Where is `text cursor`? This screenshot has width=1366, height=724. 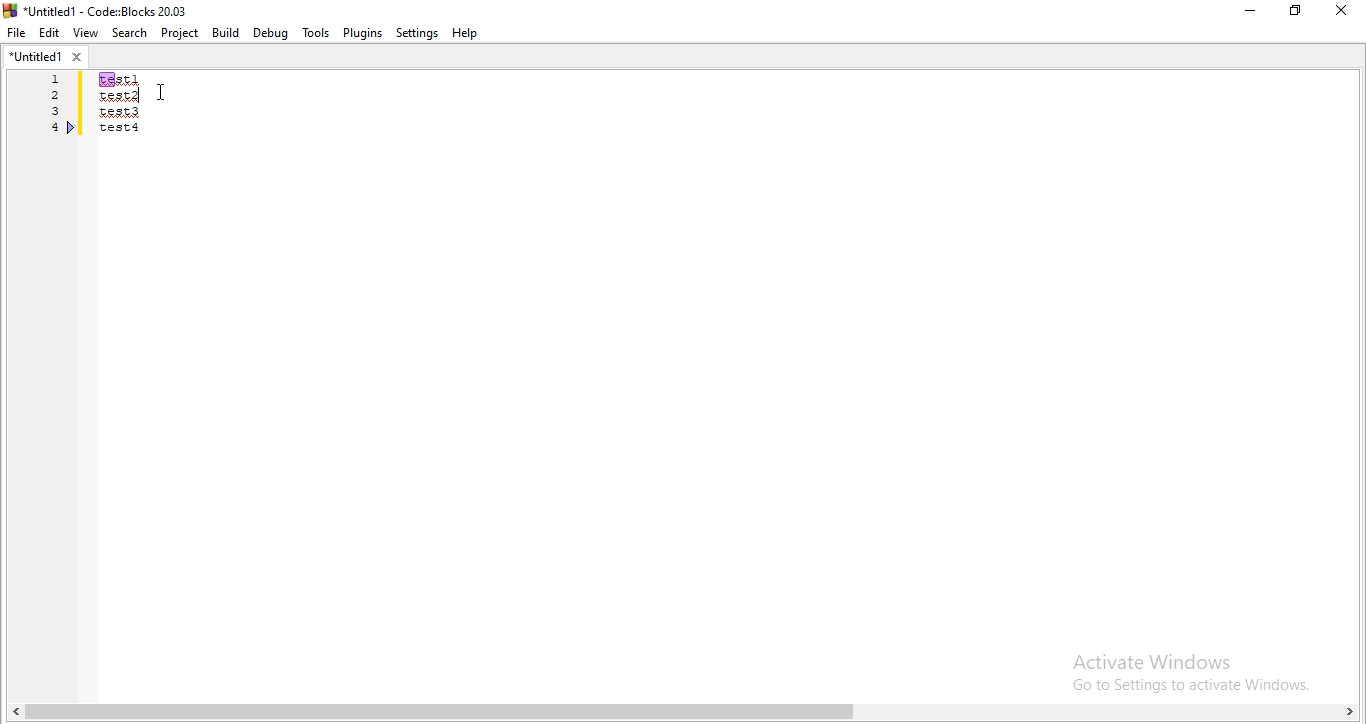 text cursor is located at coordinates (139, 95).